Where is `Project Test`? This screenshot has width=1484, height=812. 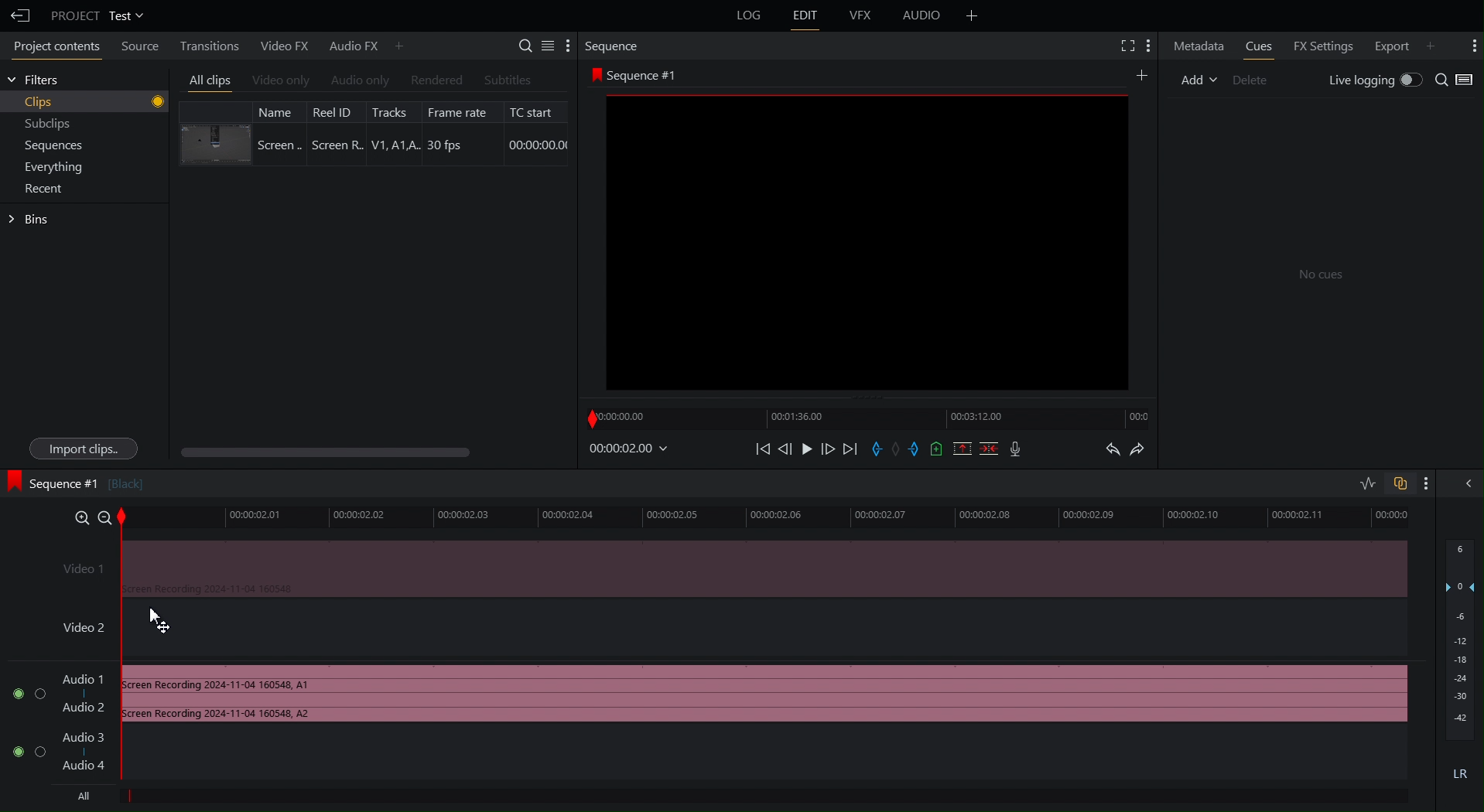 Project Test is located at coordinates (97, 15).